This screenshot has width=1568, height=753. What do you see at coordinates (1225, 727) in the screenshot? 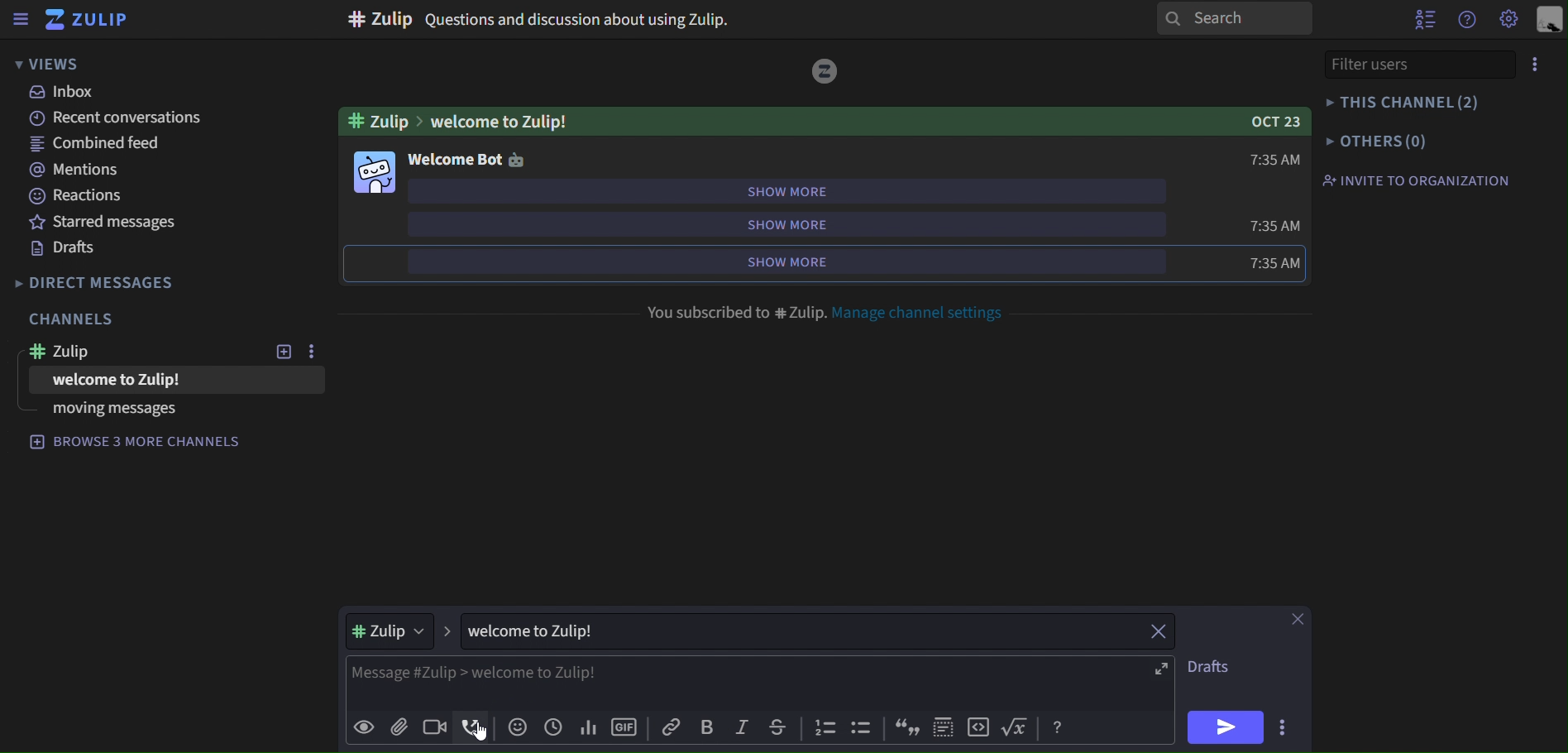
I see `send` at bounding box center [1225, 727].